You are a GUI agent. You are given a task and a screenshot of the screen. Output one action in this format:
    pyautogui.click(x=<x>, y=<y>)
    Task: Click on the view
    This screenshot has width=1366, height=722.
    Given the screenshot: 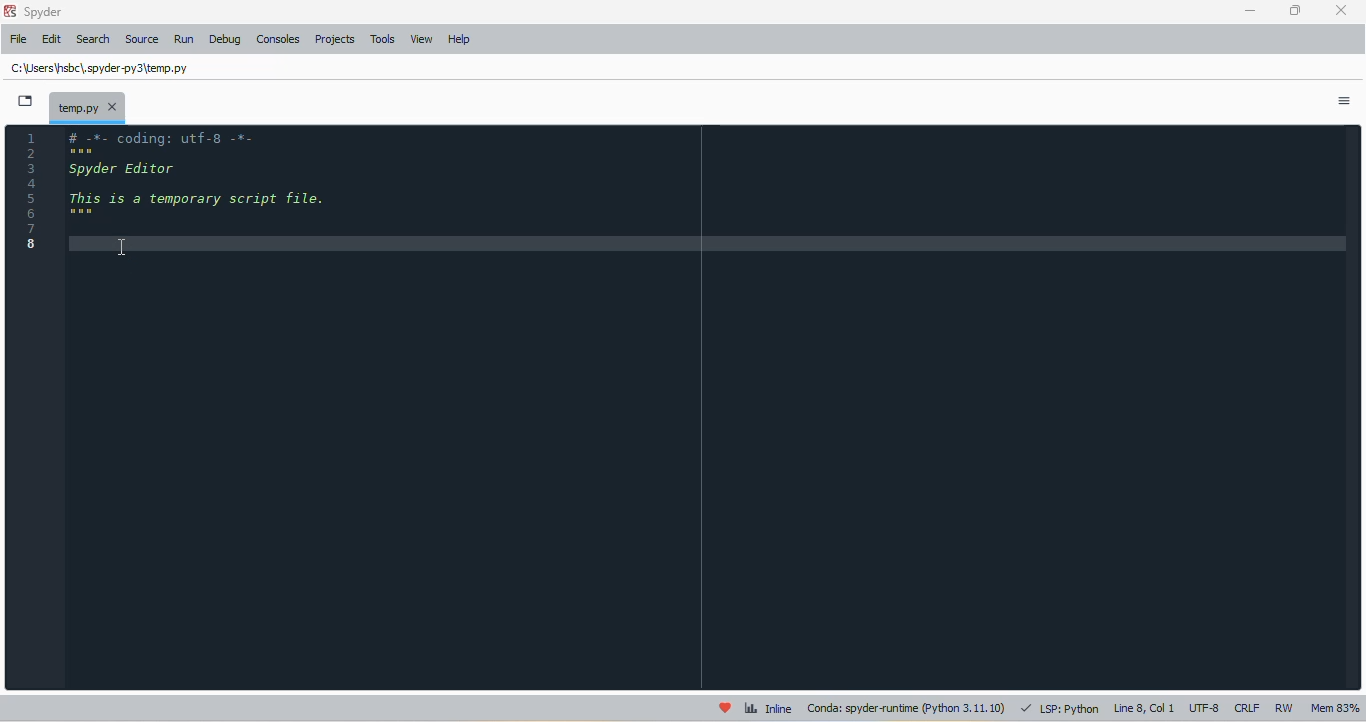 What is the action you would take?
    pyautogui.click(x=421, y=39)
    